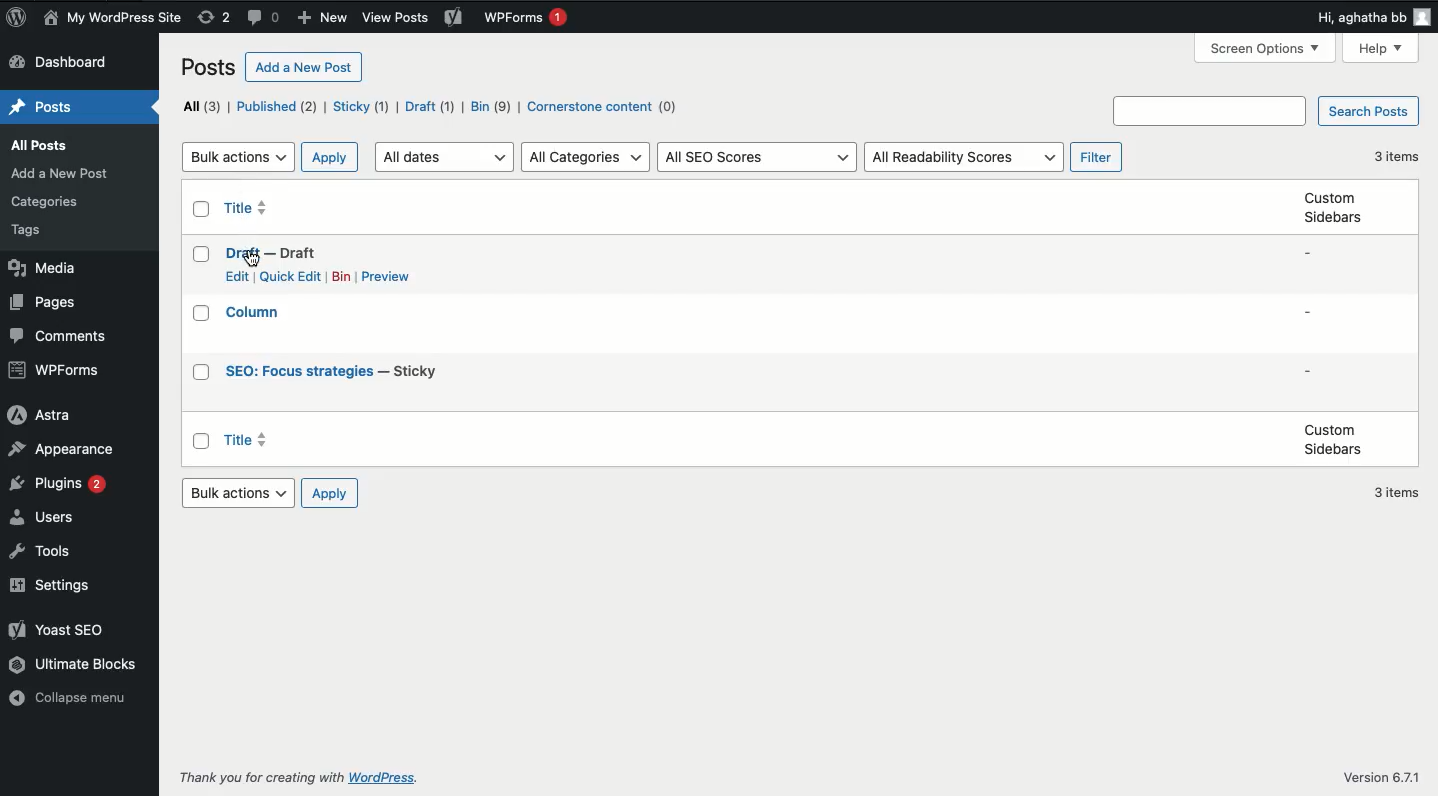  What do you see at coordinates (57, 147) in the screenshot?
I see `Posts` at bounding box center [57, 147].